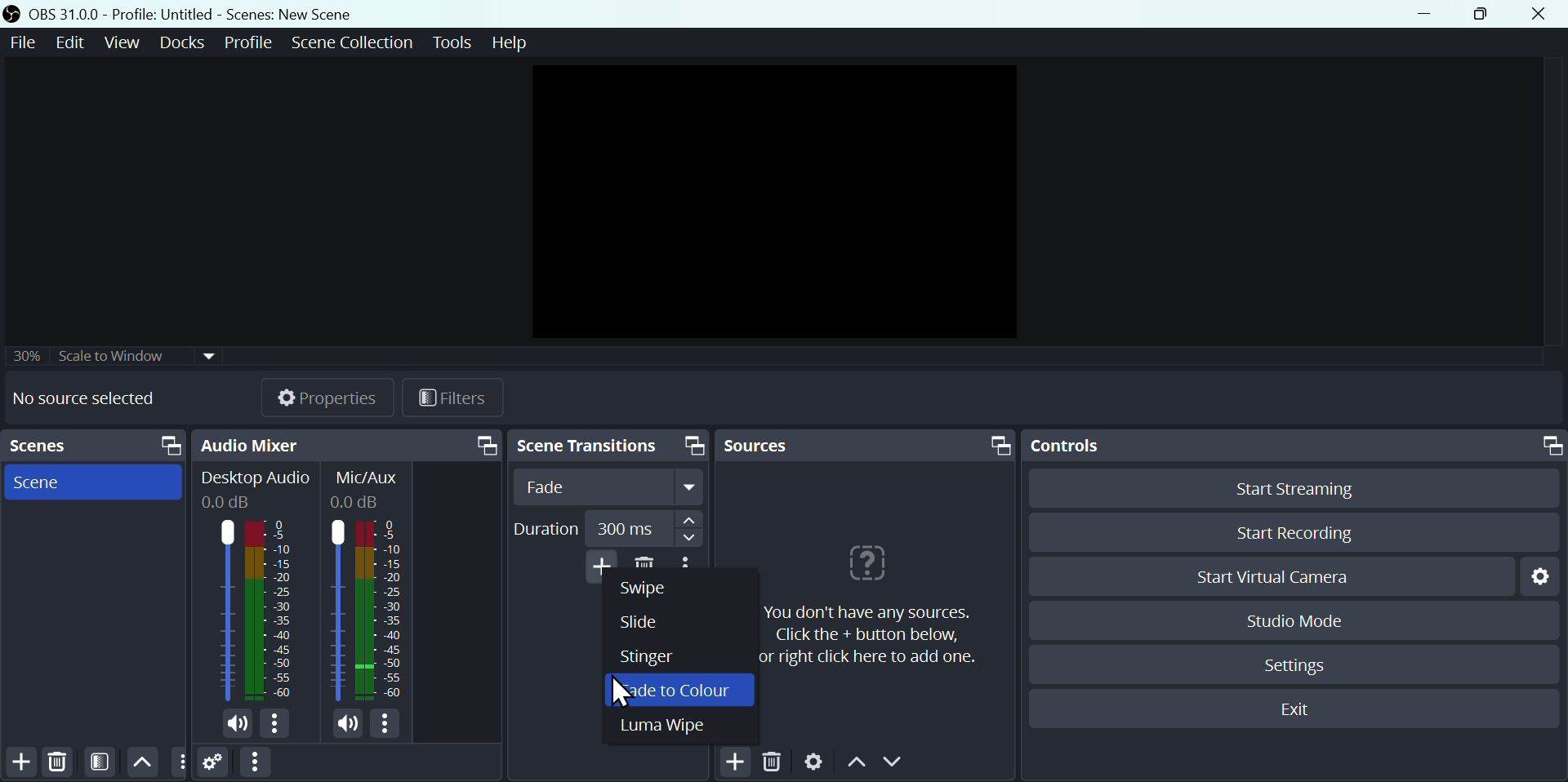  Describe the element at coordinates (1545, 13) in the screenshot. I see `Close` at that location.